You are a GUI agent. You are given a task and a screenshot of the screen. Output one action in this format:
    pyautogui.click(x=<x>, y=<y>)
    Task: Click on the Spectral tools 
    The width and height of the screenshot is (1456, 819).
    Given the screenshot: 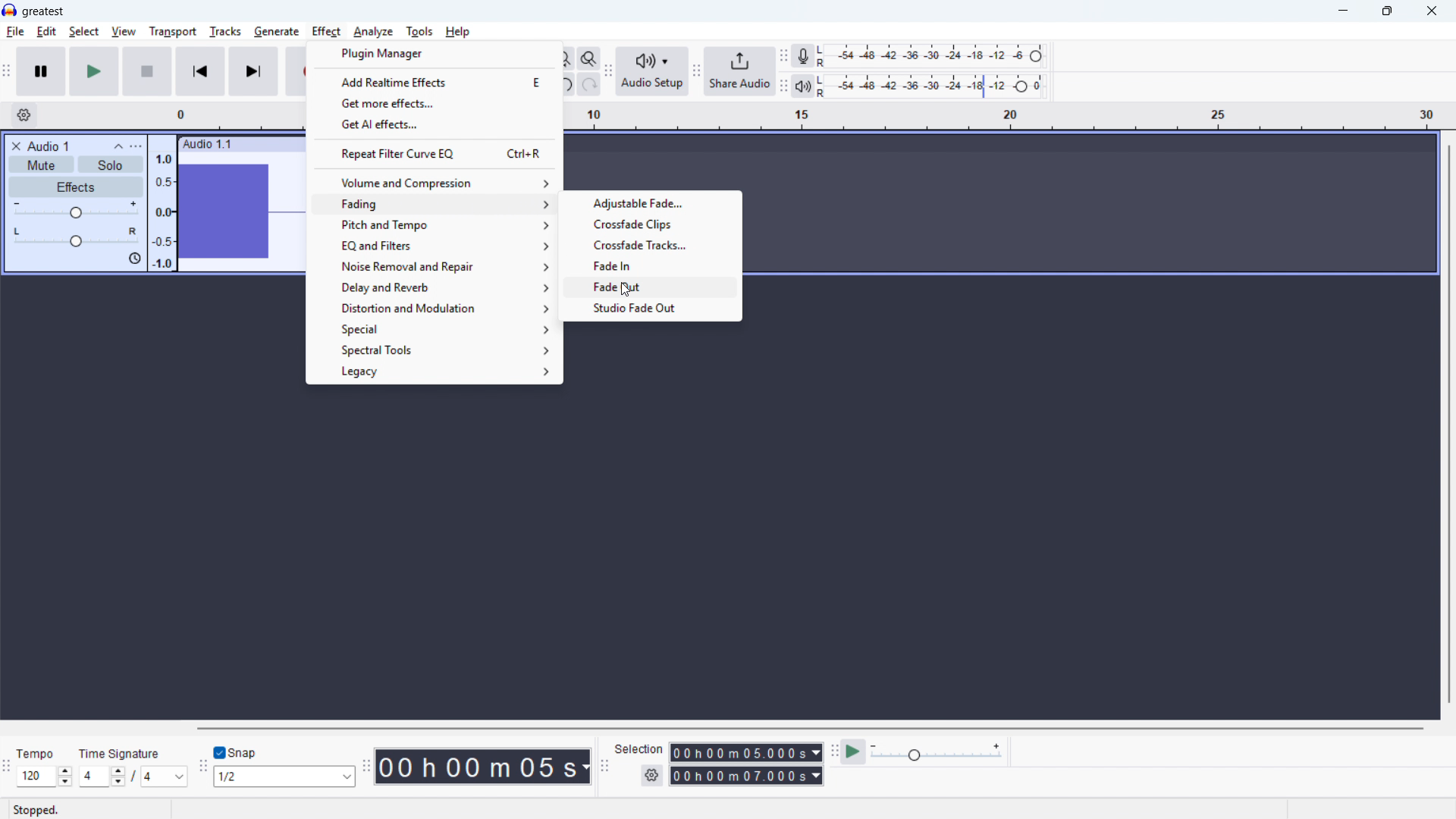 What is the action you would take?
    pyautogui.click(x=435, y=351)
    